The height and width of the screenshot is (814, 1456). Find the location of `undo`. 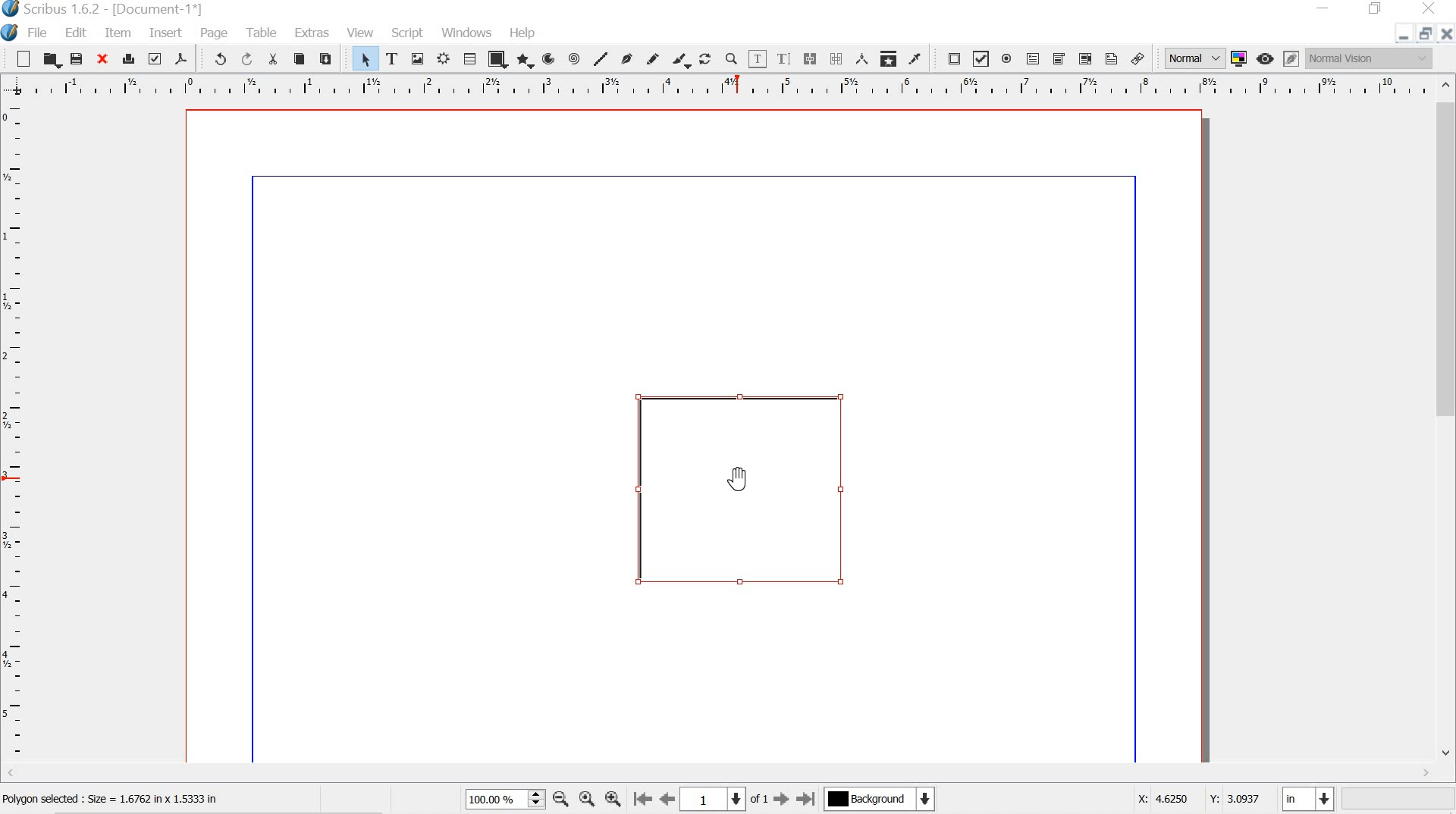

undo is located at coordinates (214, 58).